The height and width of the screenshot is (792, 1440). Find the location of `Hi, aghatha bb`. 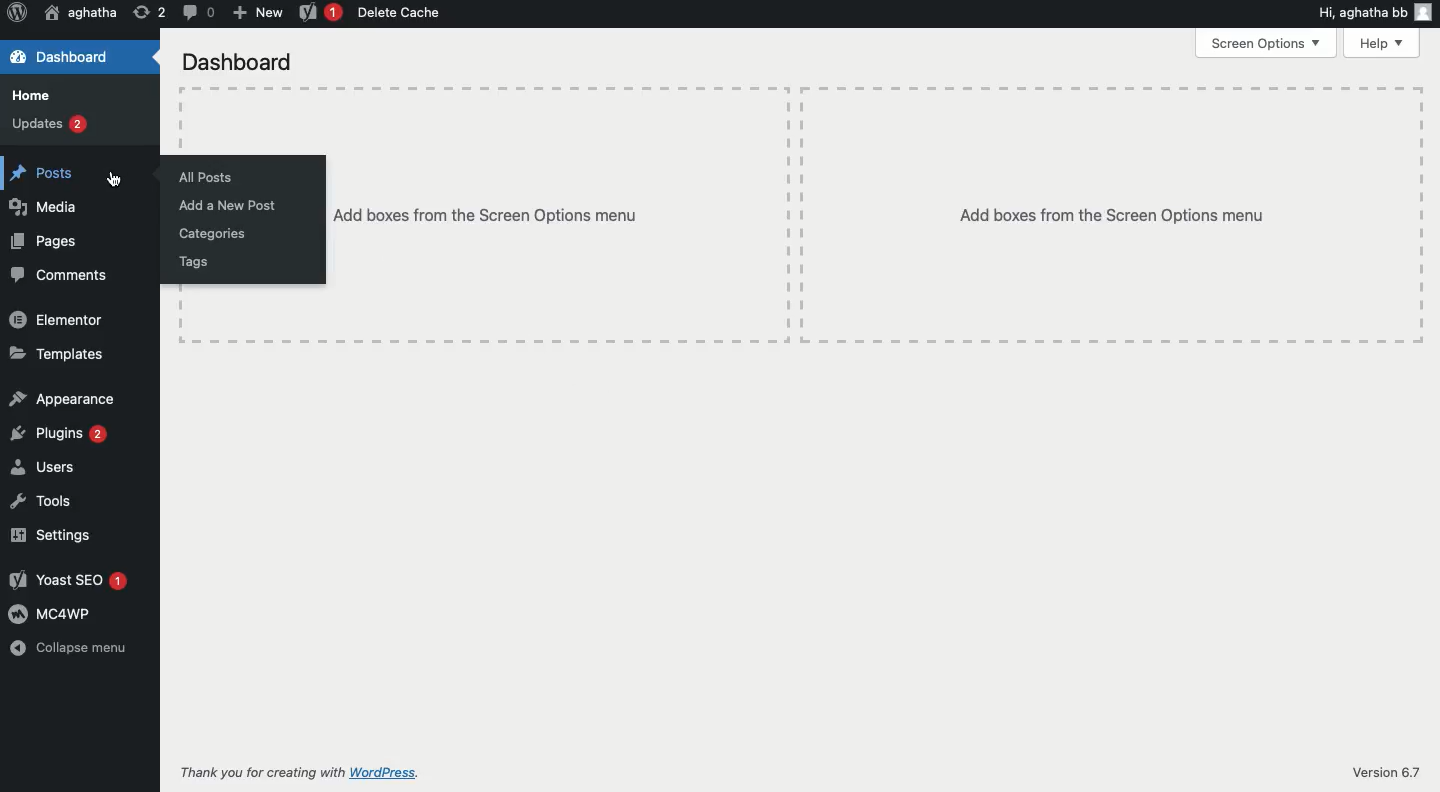

Hi, aghatha bb is located at coordinates (1360, 14).